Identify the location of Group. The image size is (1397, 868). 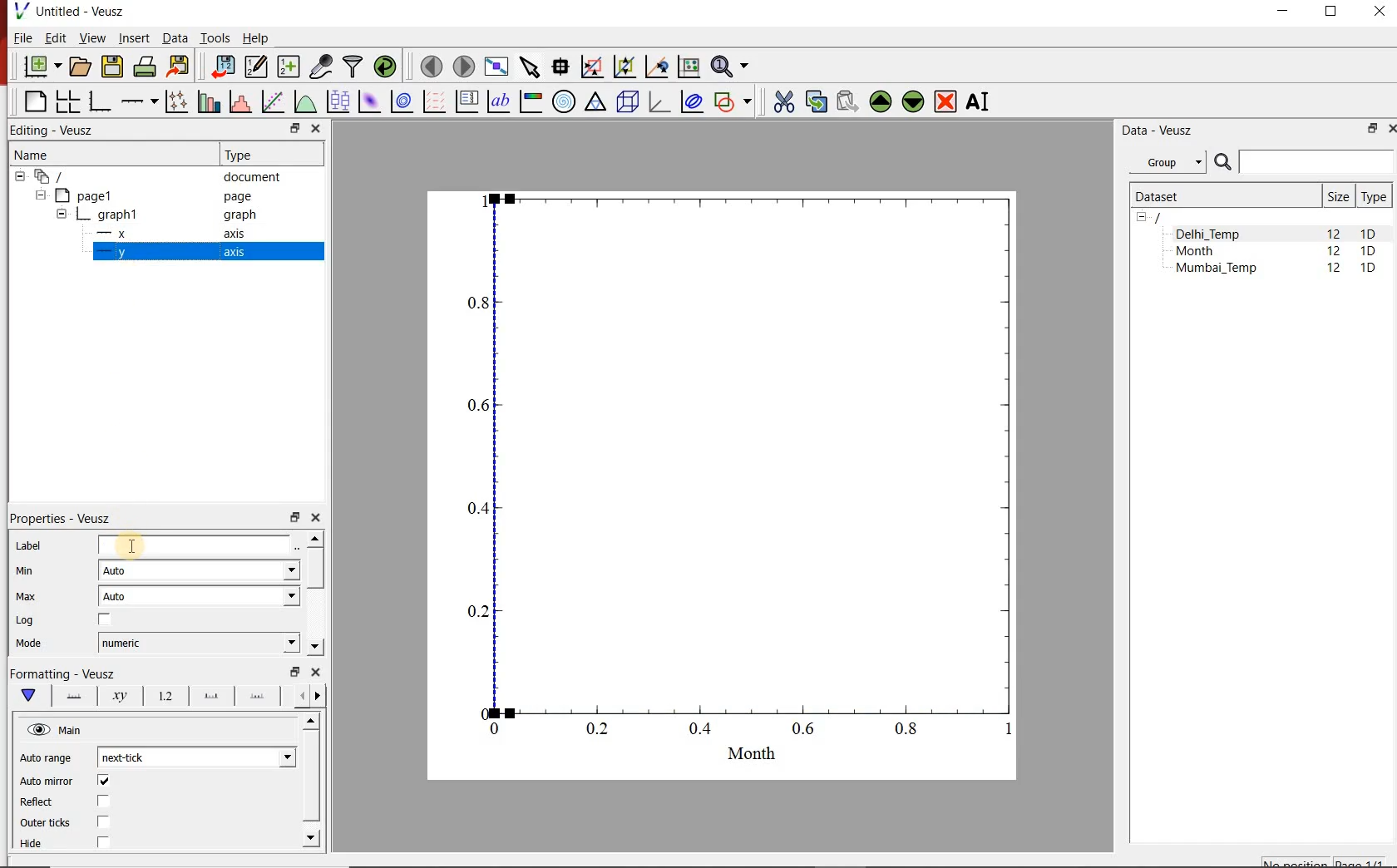
(1167, 160).